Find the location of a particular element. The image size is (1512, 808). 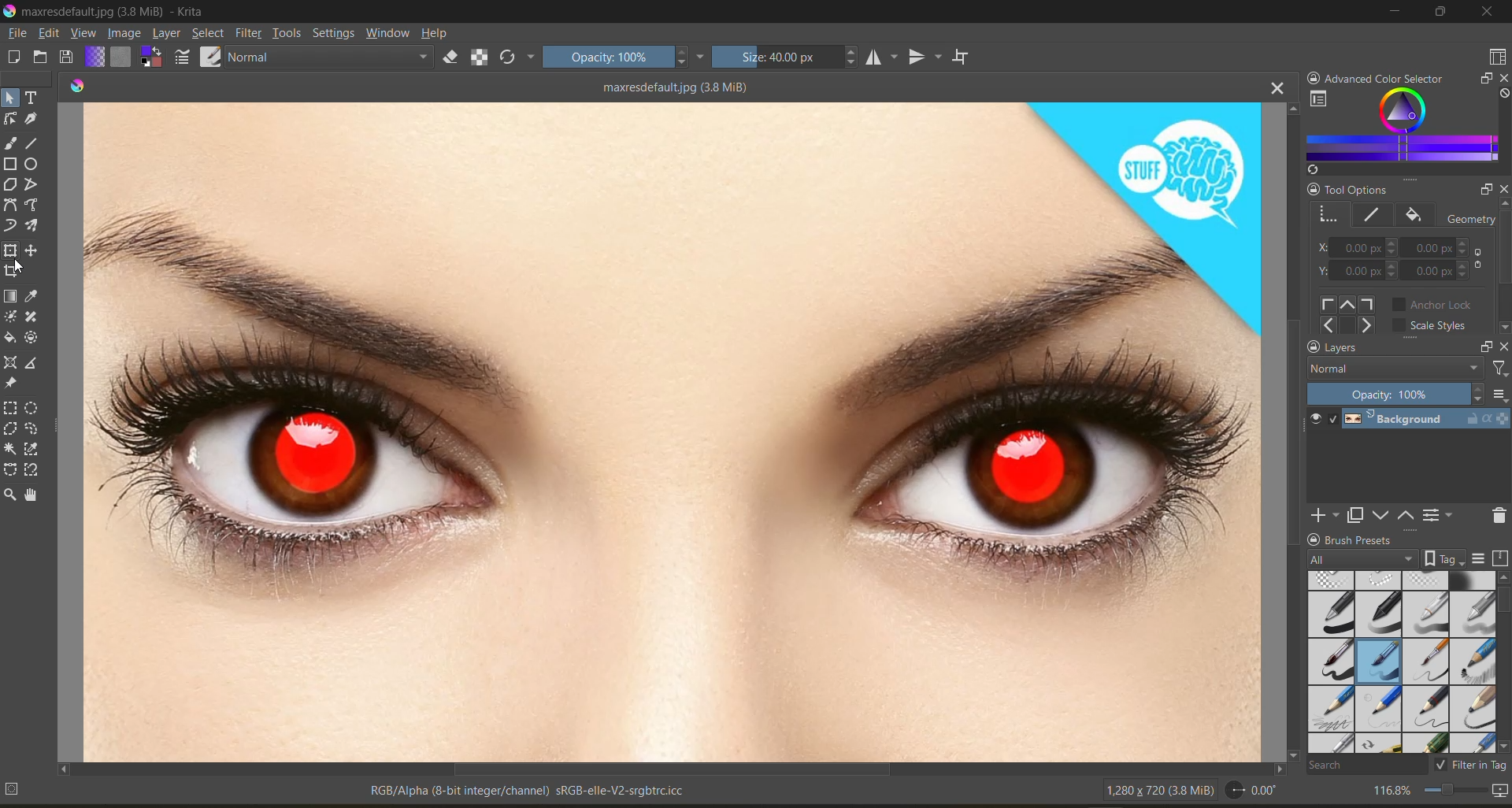

tool is located at coordinates (11, 250).